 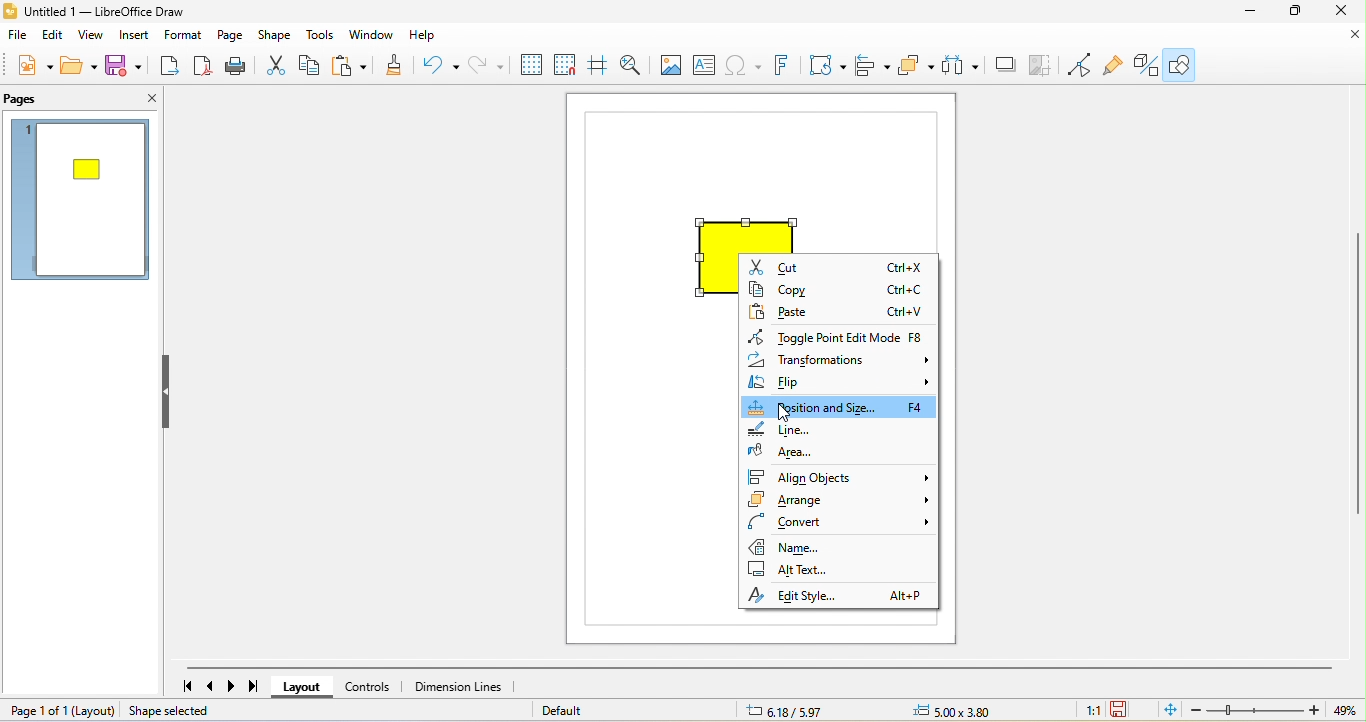 I want to click on line, so click(x=816, y=431).